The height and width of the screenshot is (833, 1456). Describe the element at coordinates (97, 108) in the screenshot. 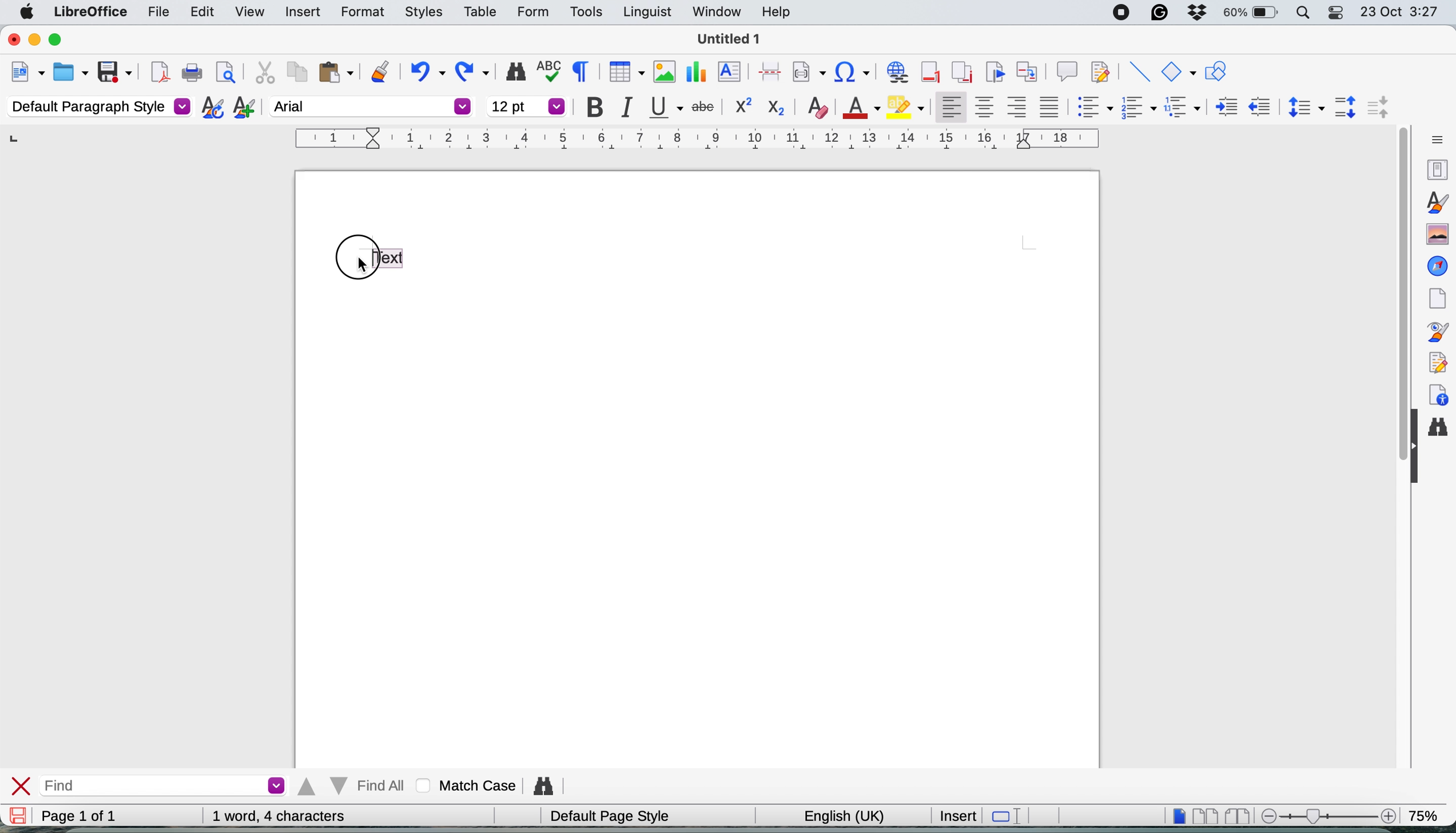

I see `default paragraph style` at that location.